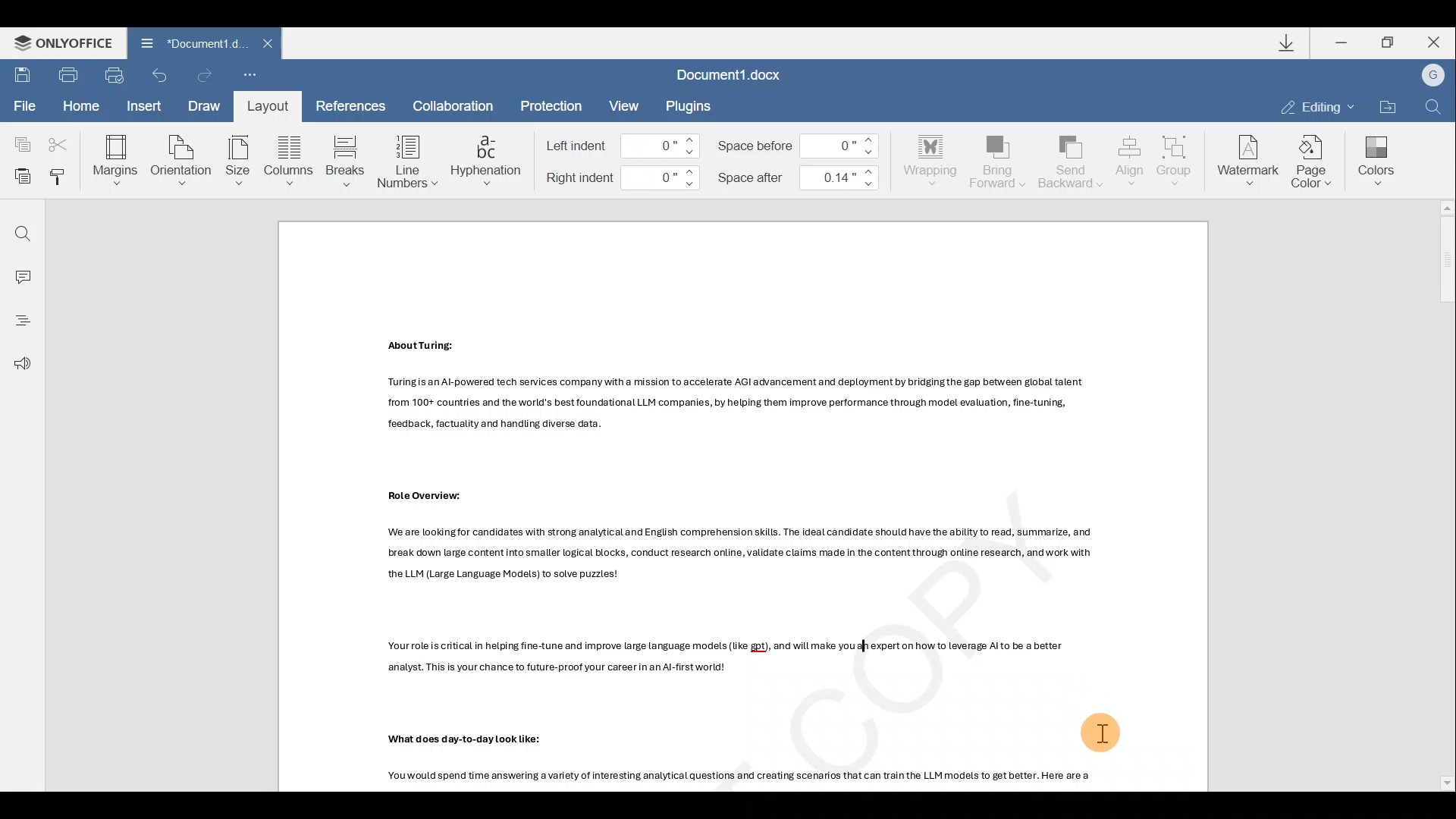 This screenshot has width=1456, height=819. Describe the element at coordinates (927, 161) in the screenshot. I see `Wrapping` at that location.